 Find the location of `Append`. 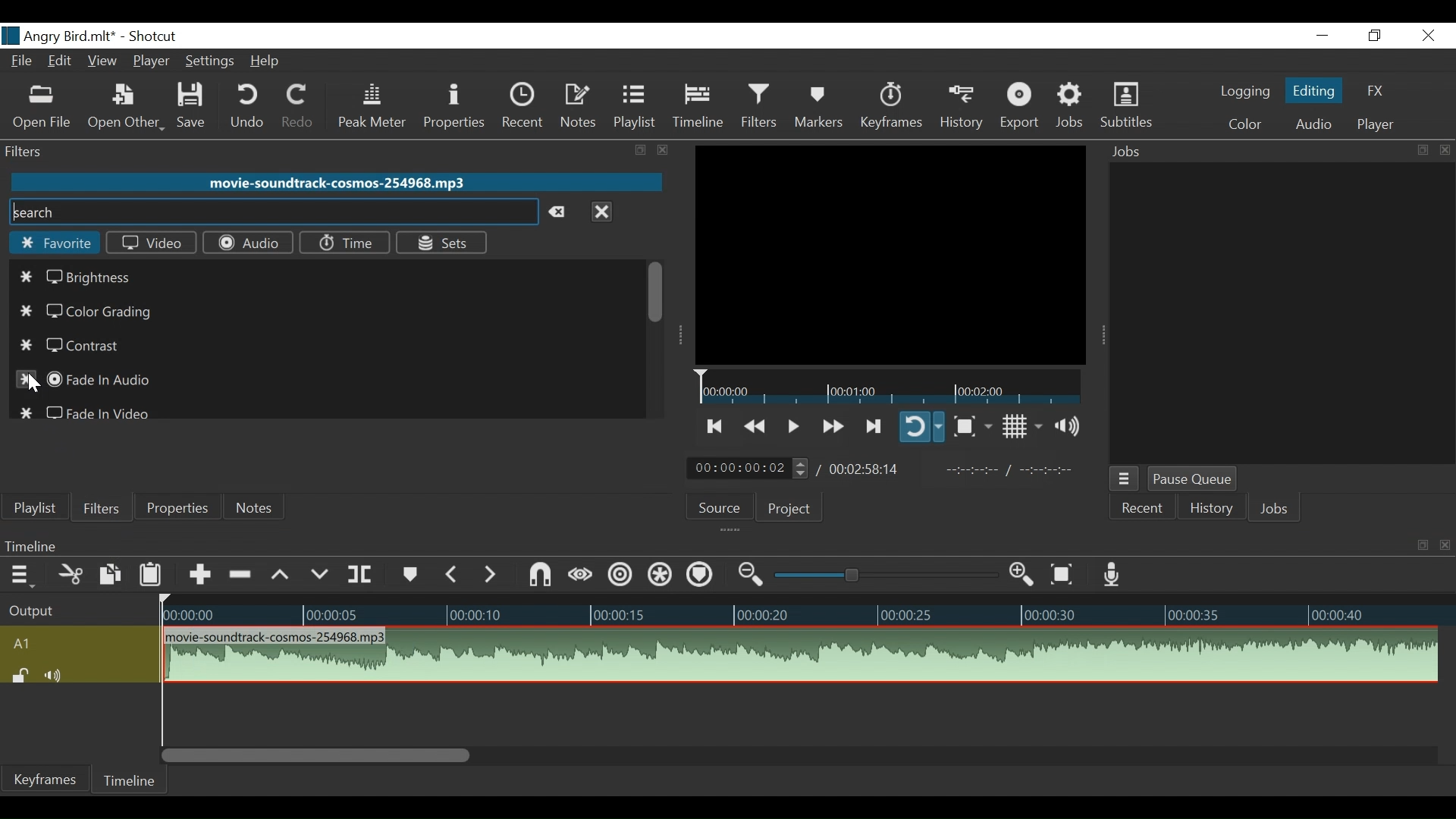

Append is located at coordinates (199, 573).